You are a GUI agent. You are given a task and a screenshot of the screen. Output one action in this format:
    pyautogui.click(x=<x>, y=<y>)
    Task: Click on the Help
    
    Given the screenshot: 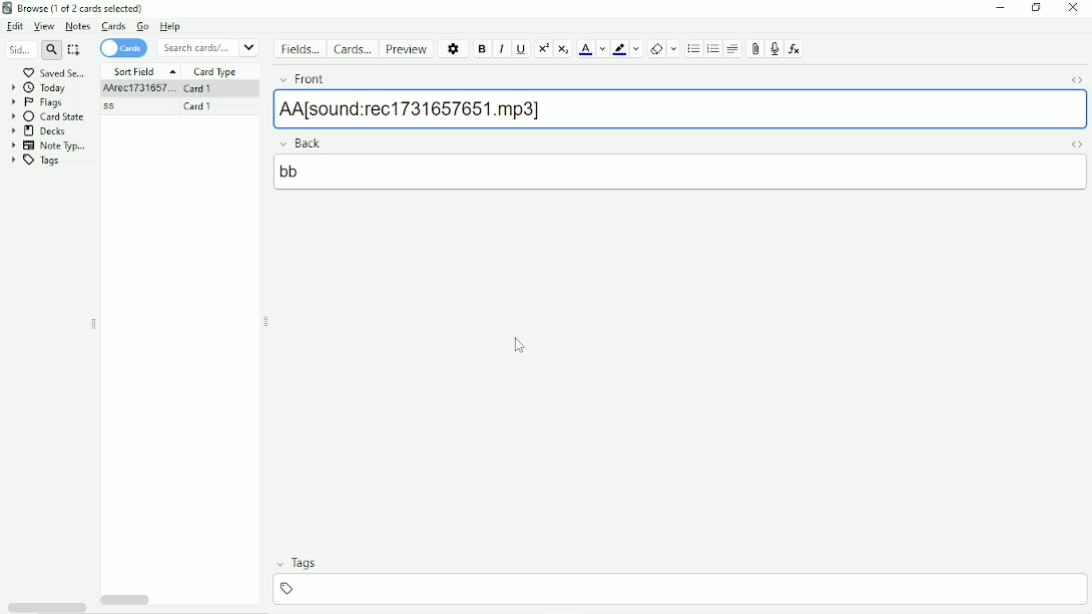 What is the action you would take?
    pyautogui.click(x=169, y=26)
    